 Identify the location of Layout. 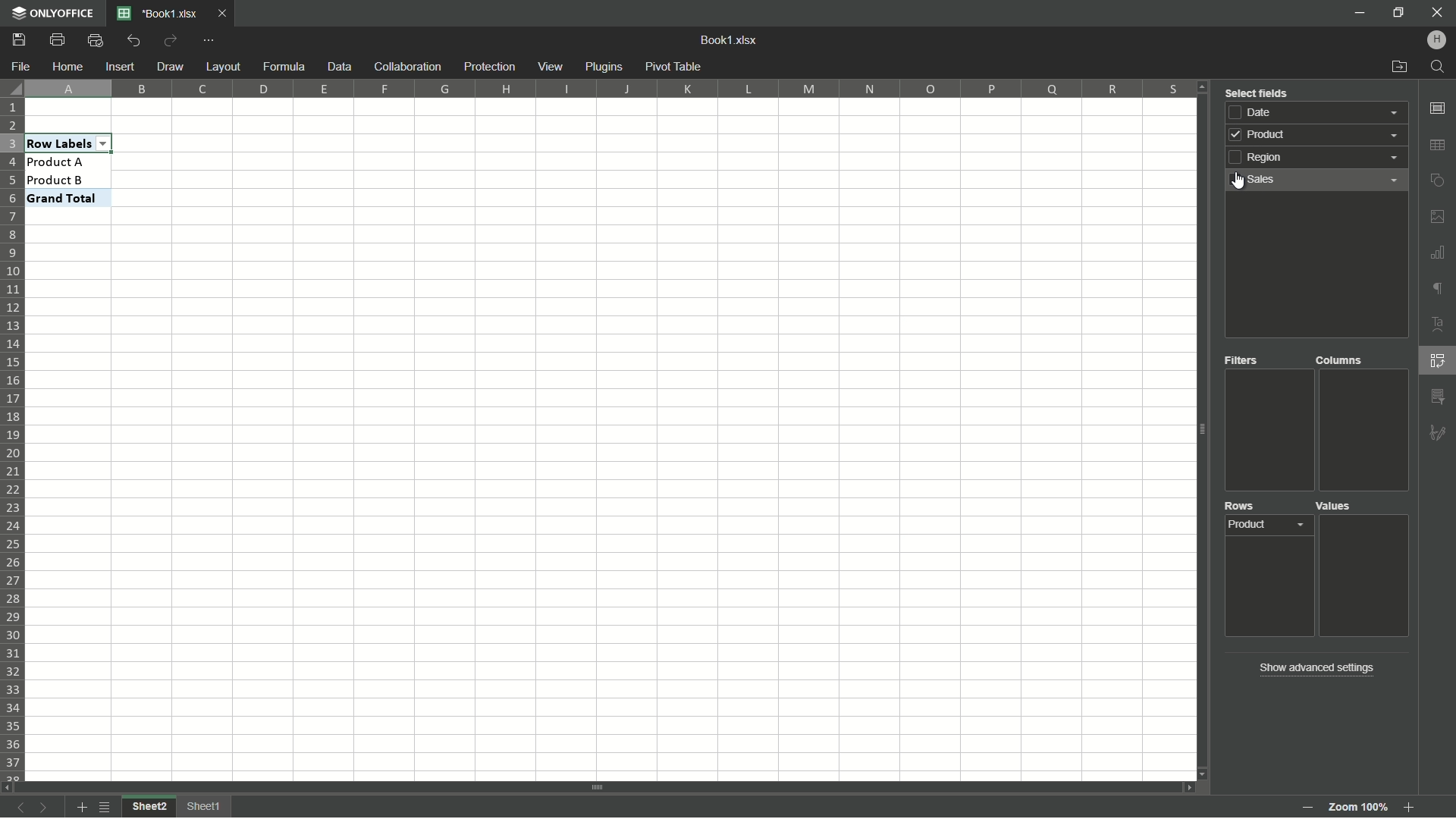
(221, 66).